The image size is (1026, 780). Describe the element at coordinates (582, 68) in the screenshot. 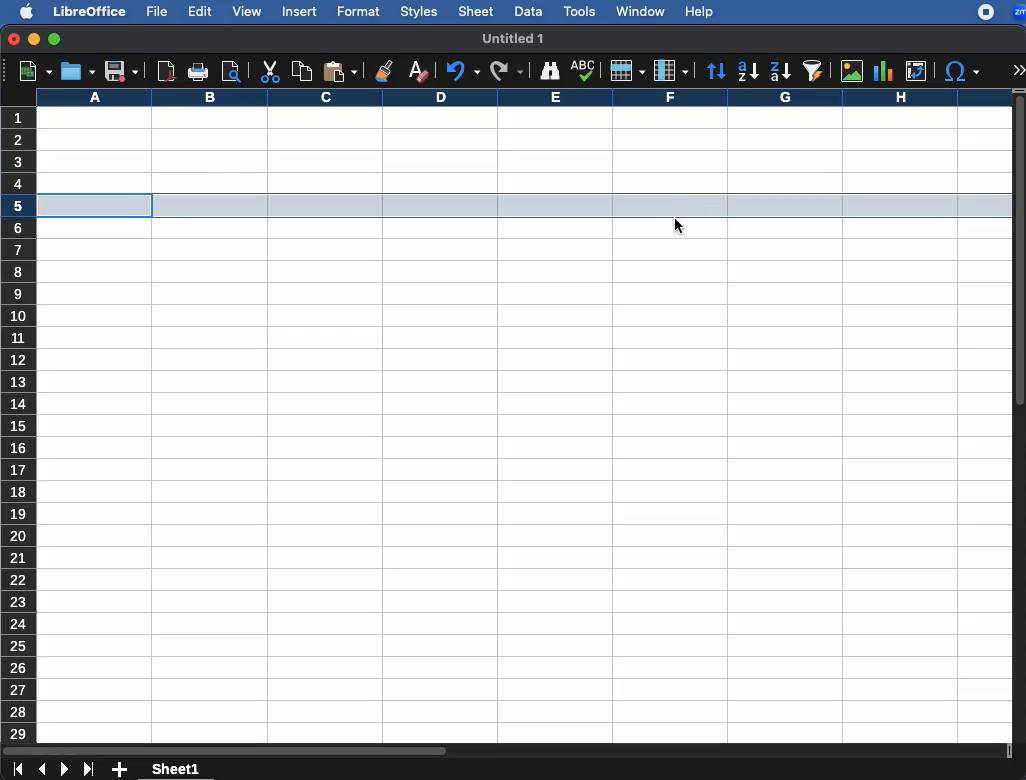

I see `spell check` at that location.